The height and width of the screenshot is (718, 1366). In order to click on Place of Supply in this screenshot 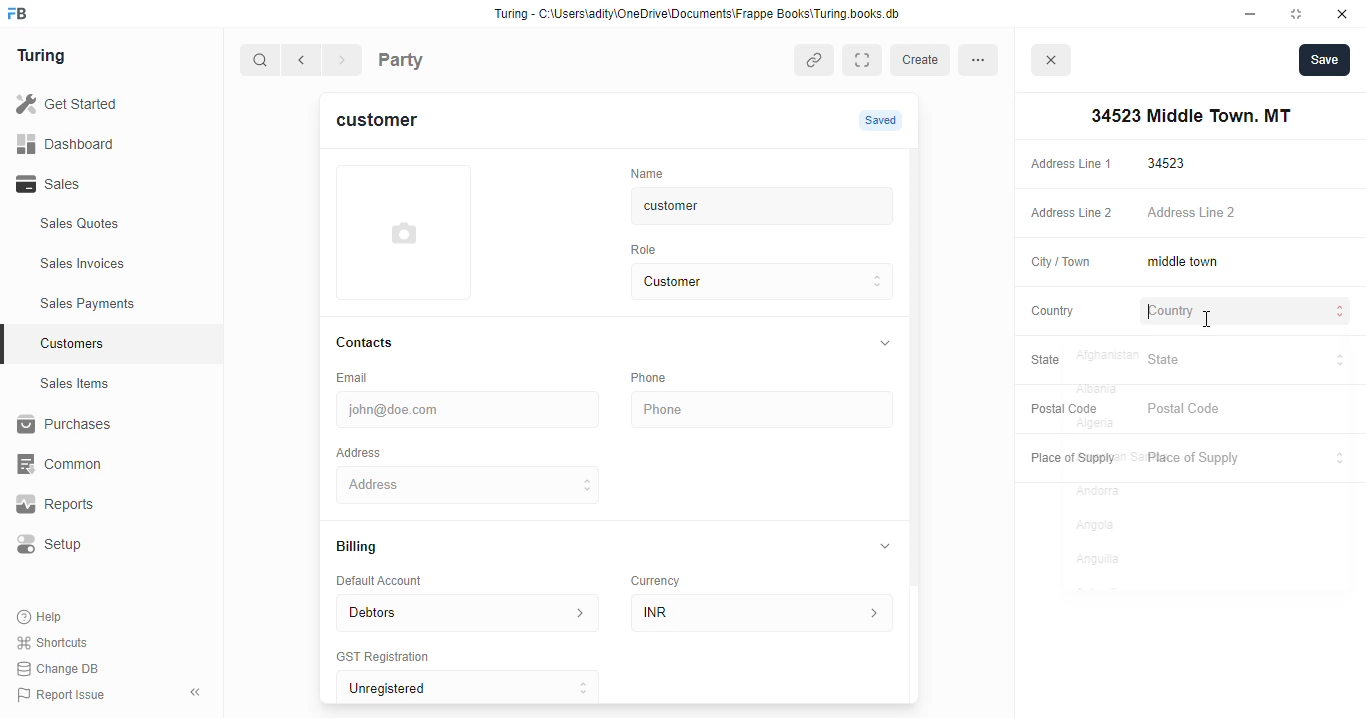, I will do `click(1068, 459)`.